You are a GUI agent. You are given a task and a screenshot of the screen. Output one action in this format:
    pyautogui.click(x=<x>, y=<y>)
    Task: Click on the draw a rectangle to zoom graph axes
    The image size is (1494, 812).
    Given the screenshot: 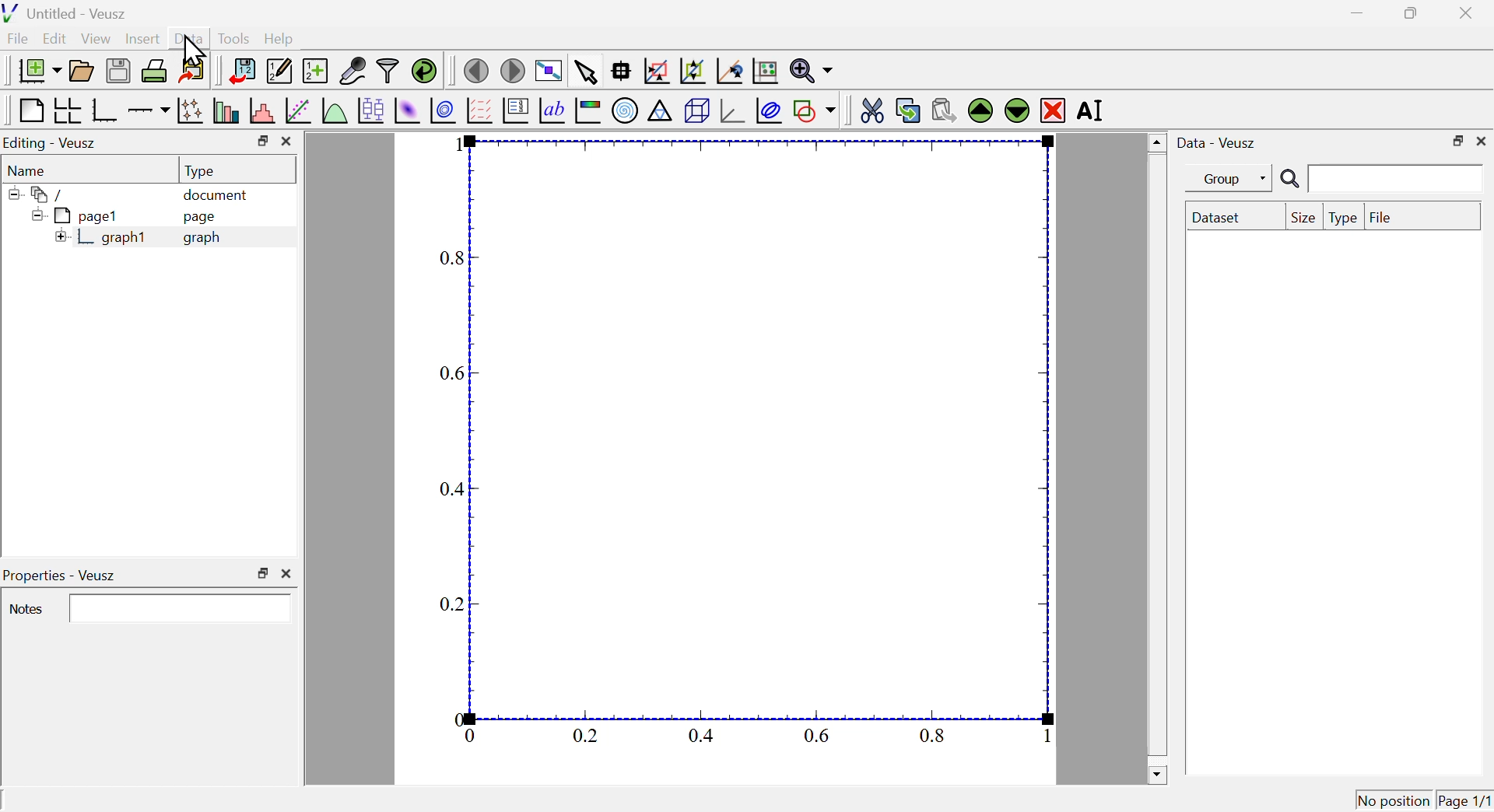 What is the action you would take?
    pyautogui.click(x=656, y=71)
    